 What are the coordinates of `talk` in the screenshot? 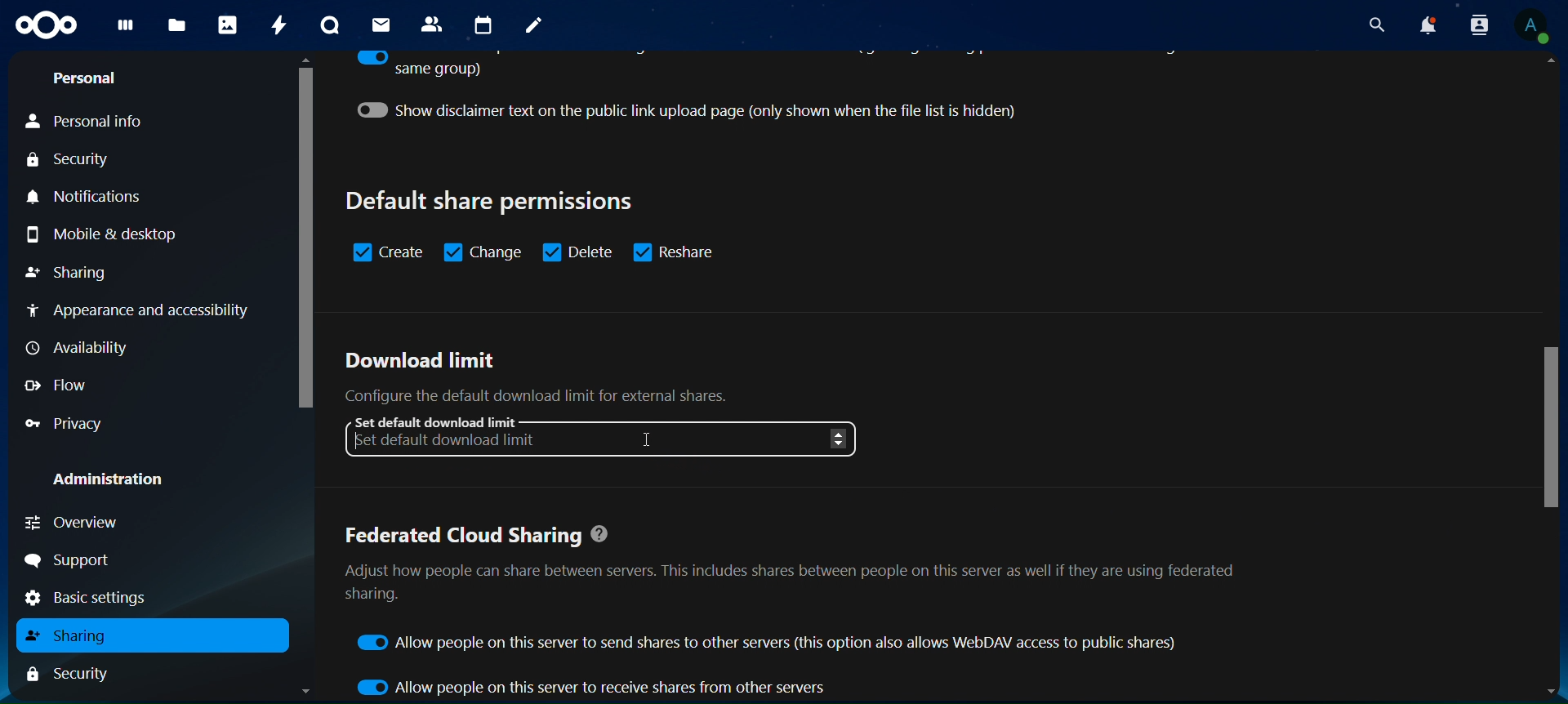 It's located at (333, 25).